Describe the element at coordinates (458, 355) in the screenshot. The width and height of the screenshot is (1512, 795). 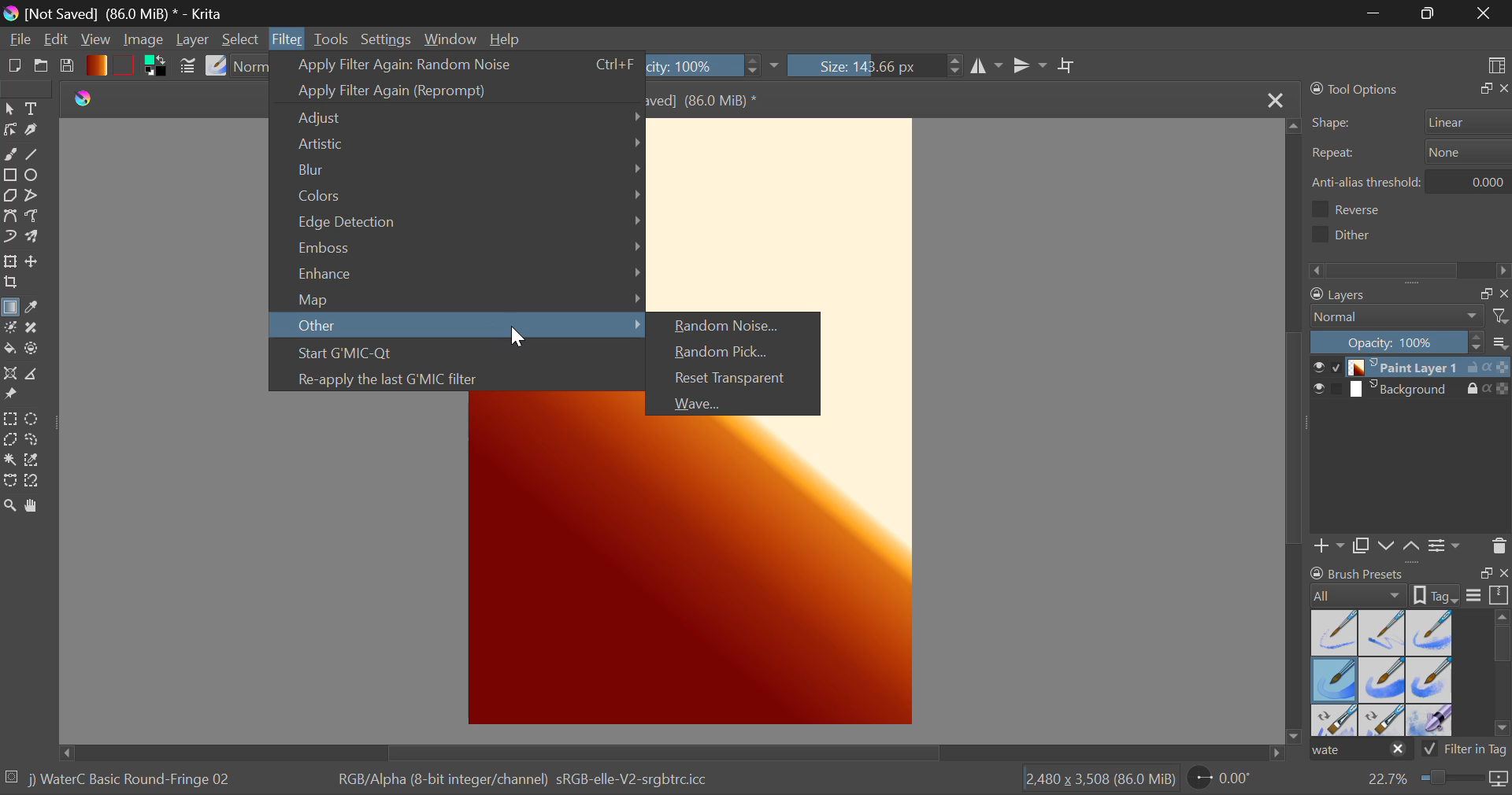
I see `Start GMIC-Qt` at that location.